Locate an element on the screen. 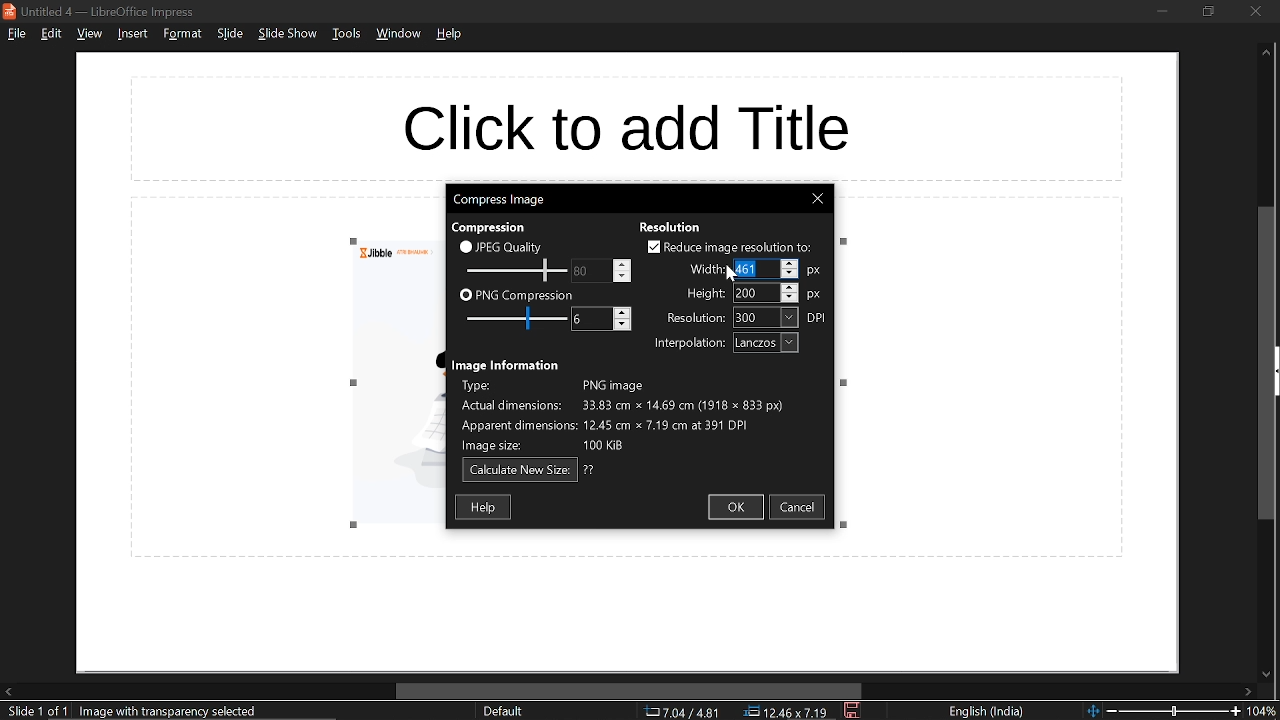 The height and width of the screenshot is (720, 1280). vertical scrollbar is located at coordinates (1267, 363).